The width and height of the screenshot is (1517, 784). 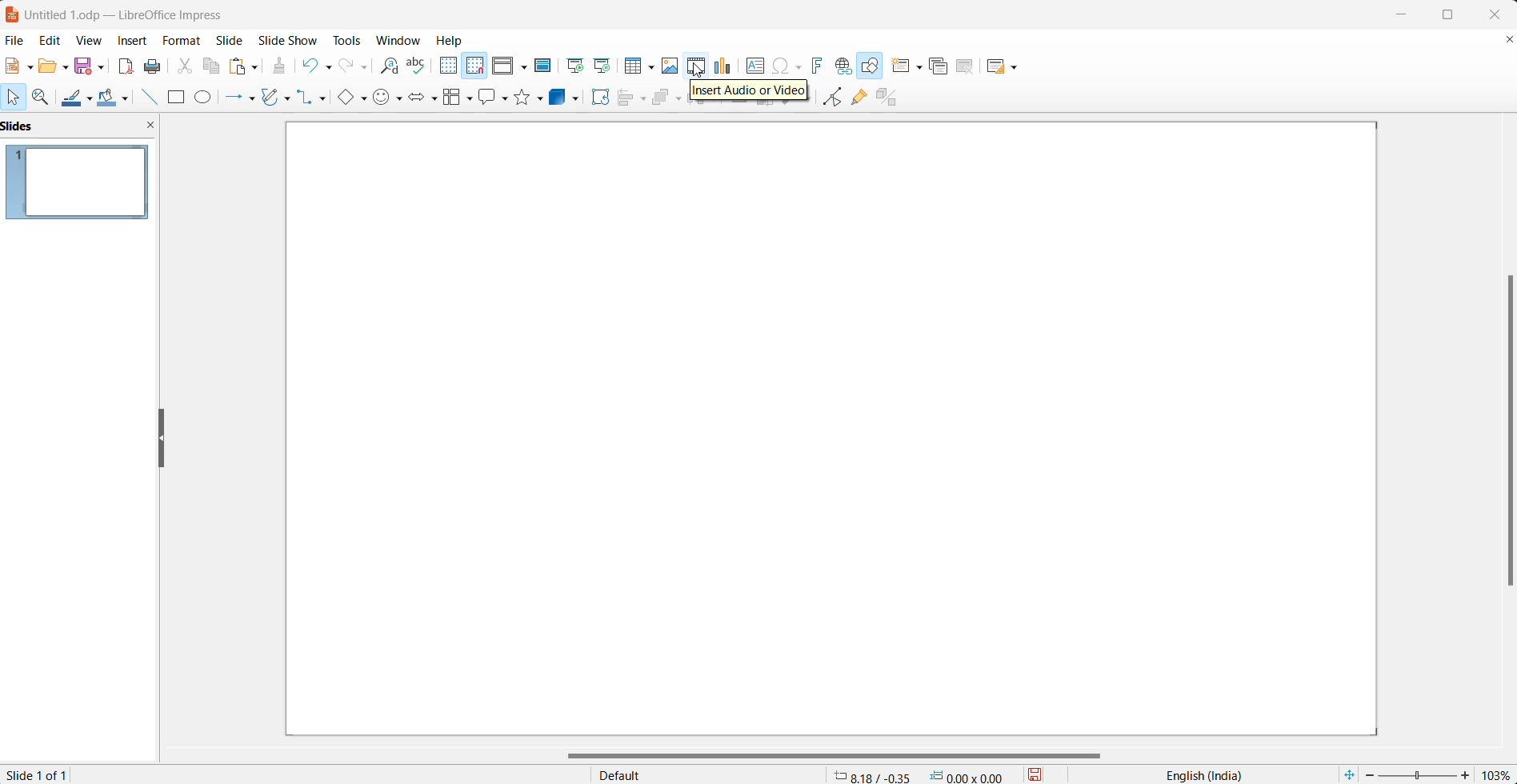 What do you see at coordinates (231, 99) in the screenshot?
I see `lines and arrow` at bounding box center [231, 99].